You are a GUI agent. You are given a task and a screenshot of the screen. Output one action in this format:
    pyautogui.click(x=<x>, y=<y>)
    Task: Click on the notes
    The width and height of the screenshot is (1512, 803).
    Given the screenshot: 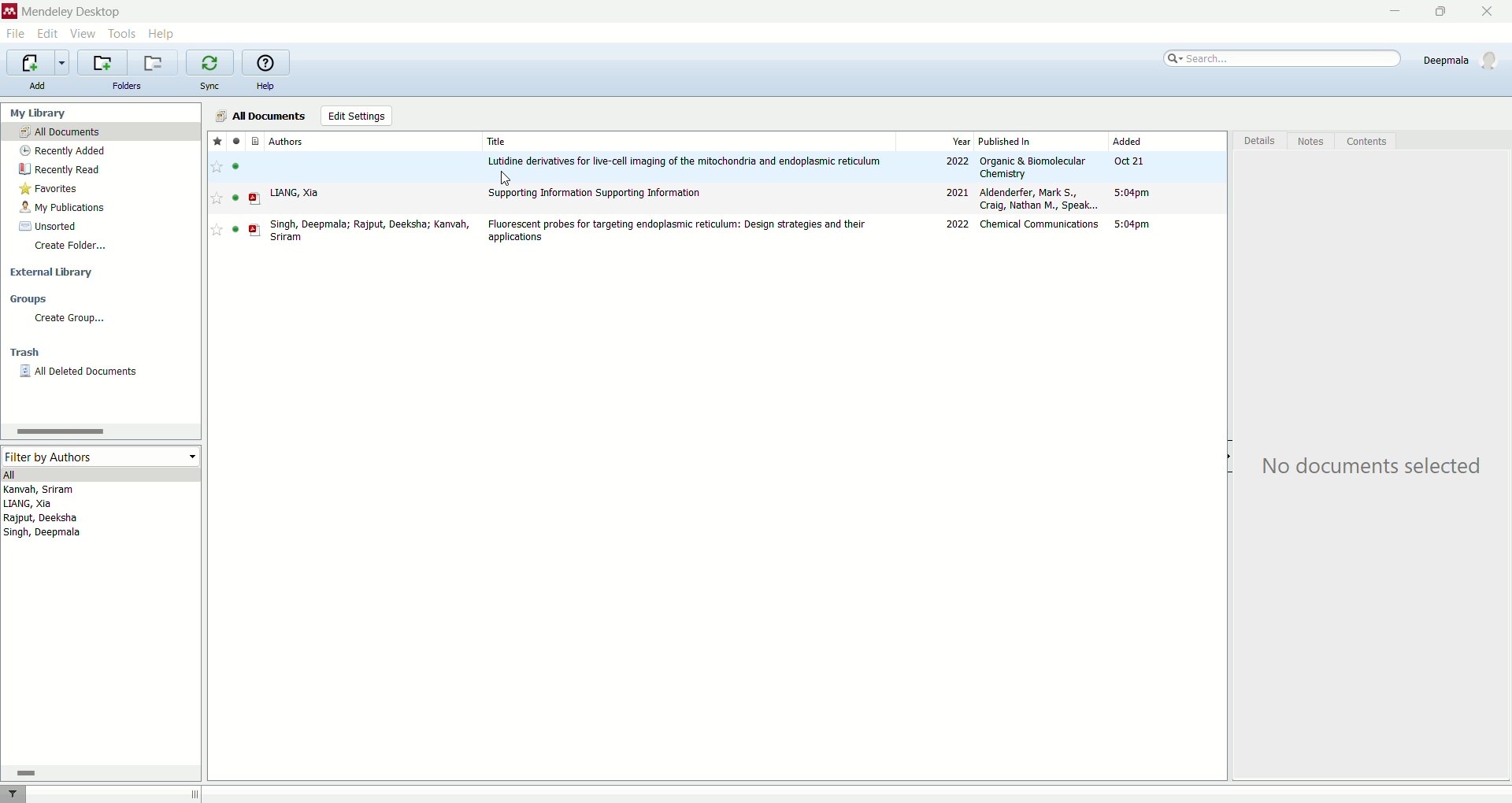 What is the action you would take?
    pyautogui.click(x=1310, y=144)
    